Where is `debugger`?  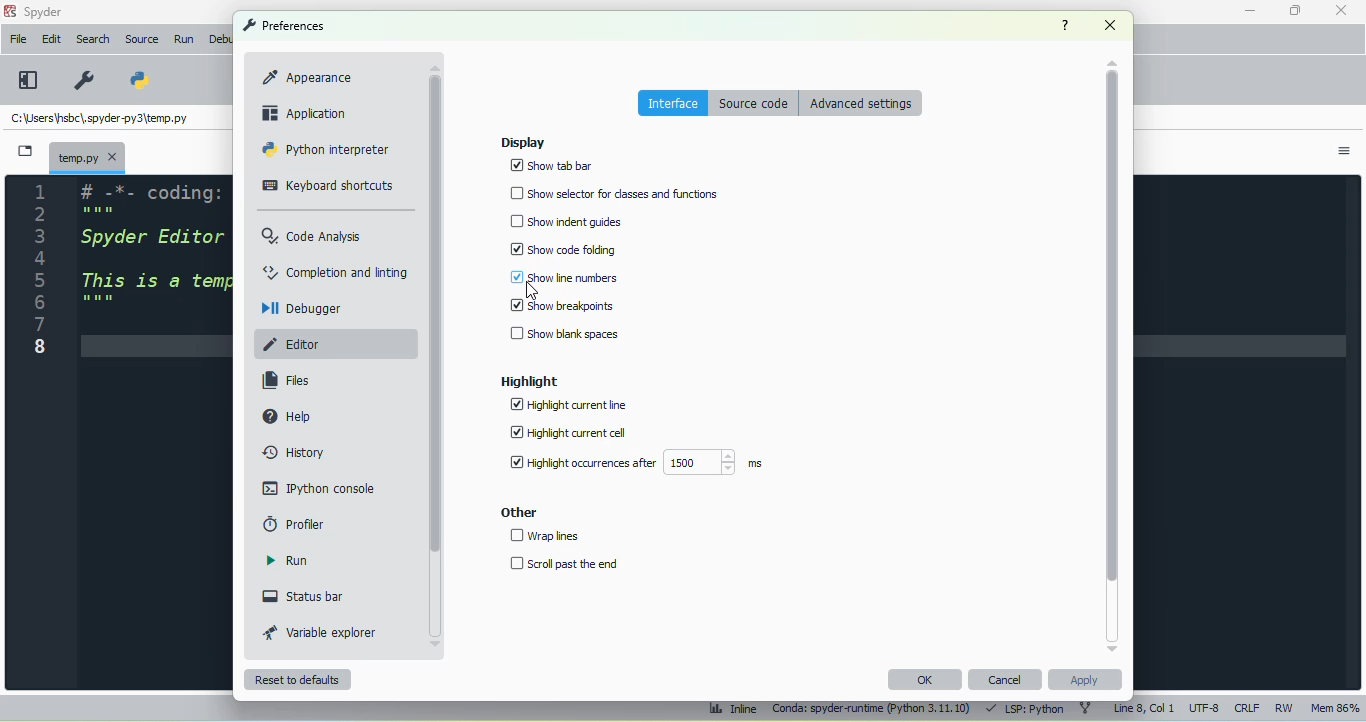
debugger is located at coordinates (304, 309).